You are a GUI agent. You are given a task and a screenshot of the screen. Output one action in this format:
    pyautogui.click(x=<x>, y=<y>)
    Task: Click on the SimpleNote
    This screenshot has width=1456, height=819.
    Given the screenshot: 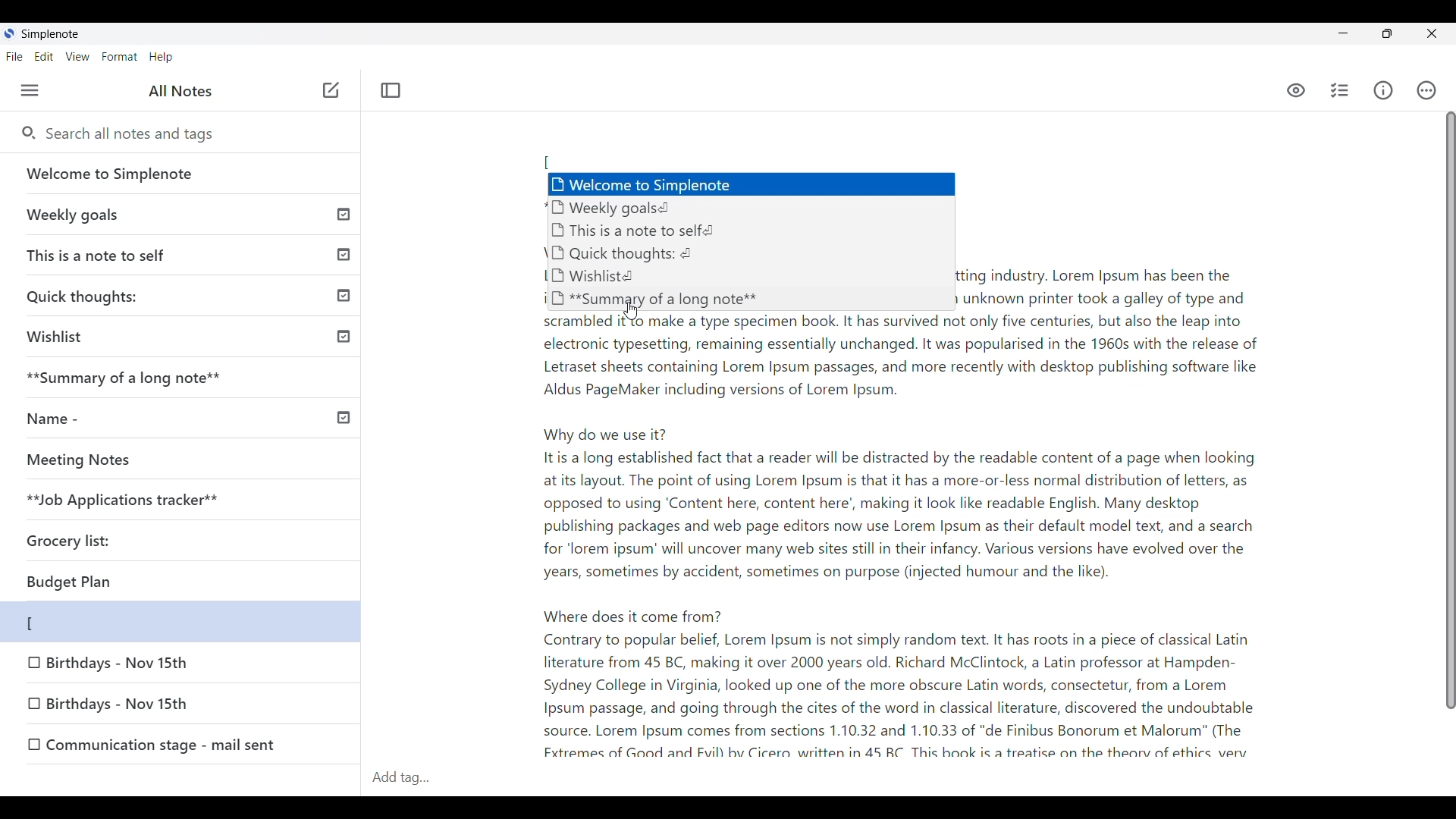 What is the action you would take?
    pyautogui.click(x=48, y=33)
    